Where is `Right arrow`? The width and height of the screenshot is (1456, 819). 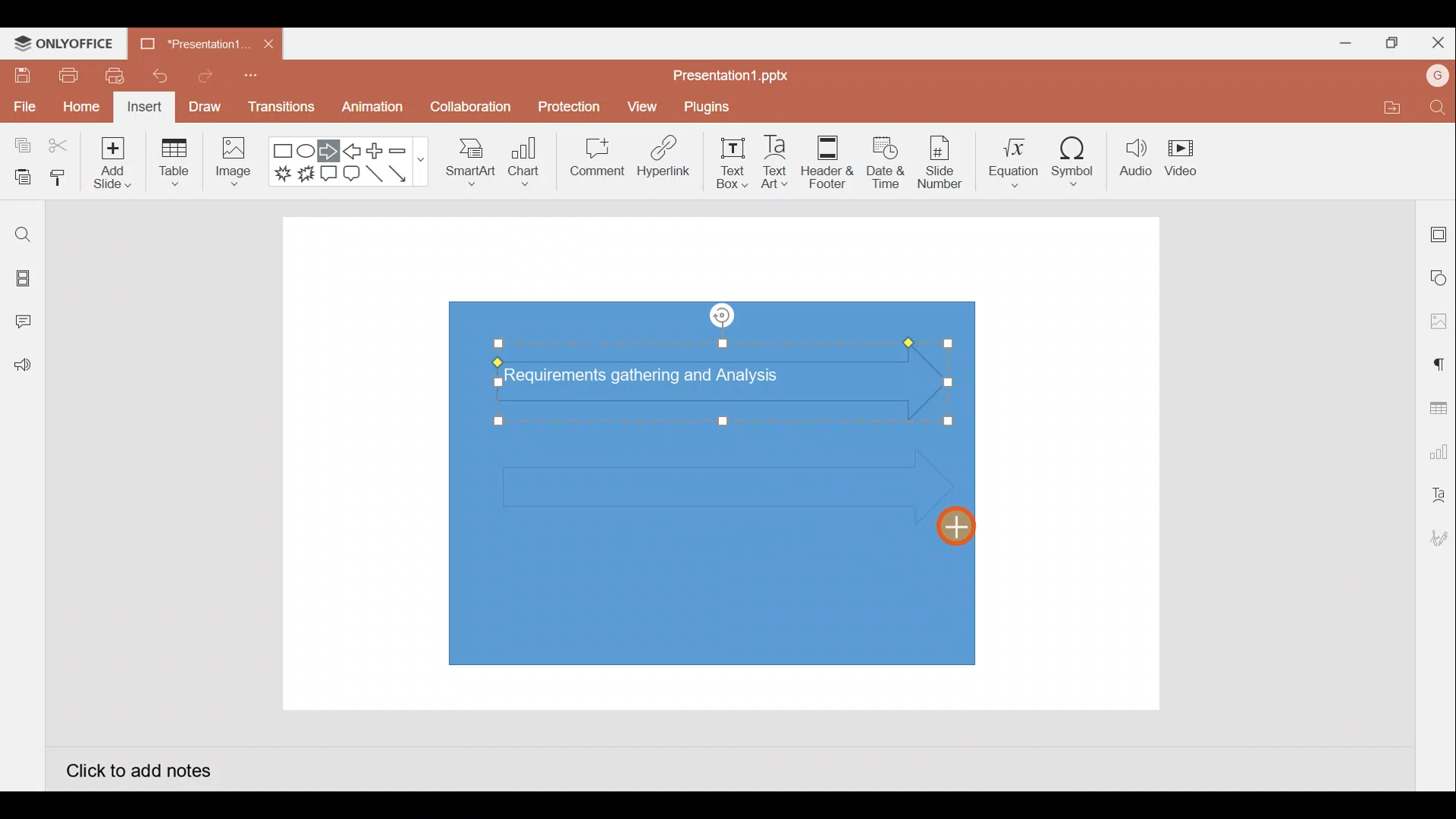 Right arrow is located at coordinates (328, 152).